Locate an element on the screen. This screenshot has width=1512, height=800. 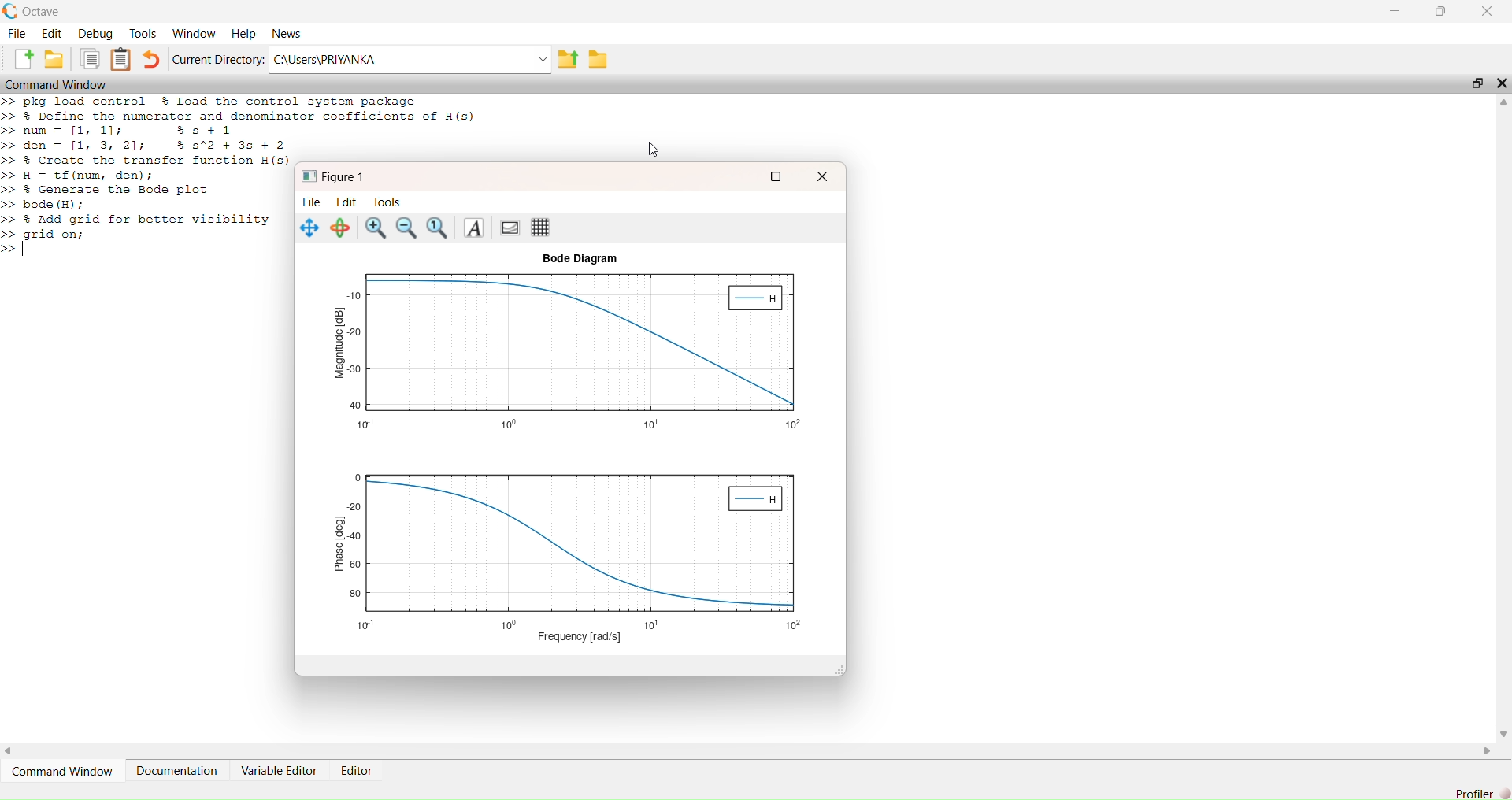
Profiler is located at coordinates (1474, 793).